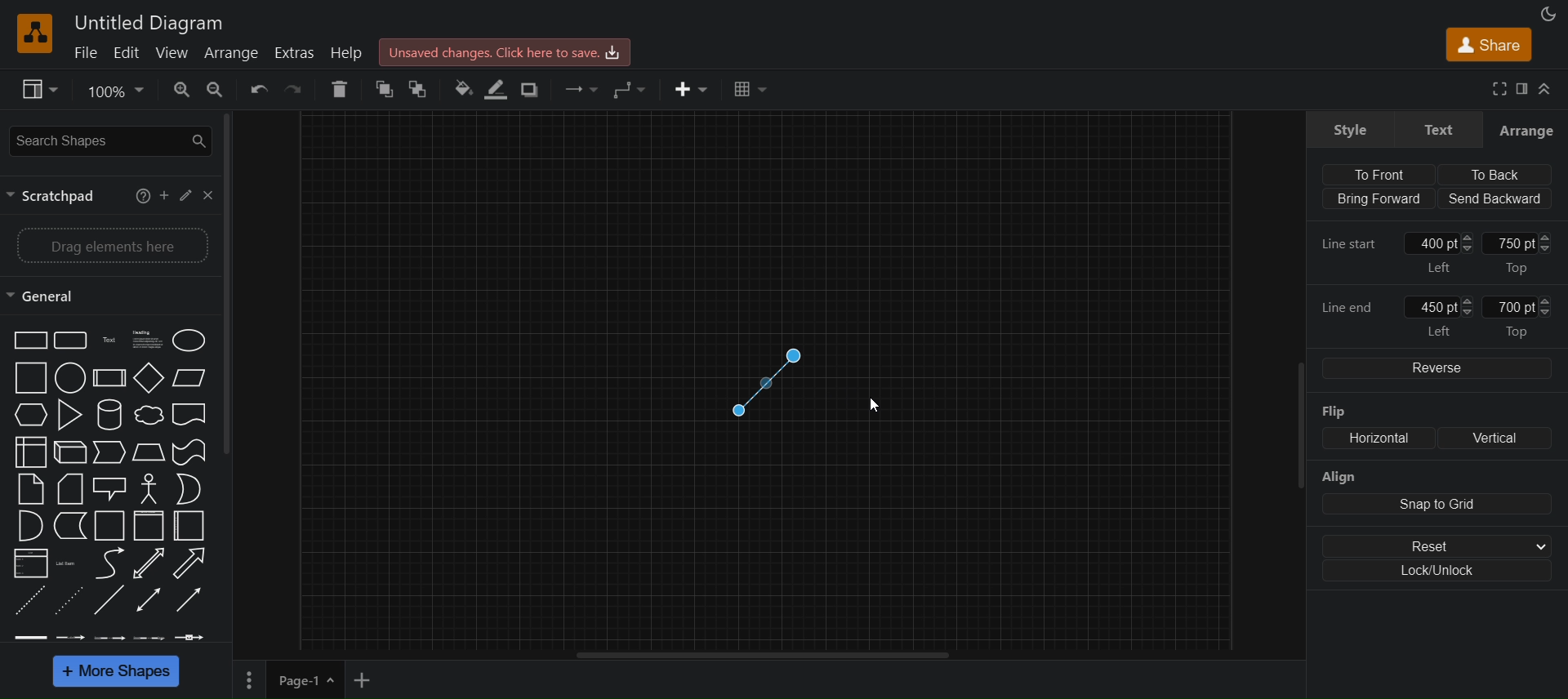 Image resolution: width=1568 pixels, height=699 pixels. Describe the element at coordinates (118, 672) in the screenshot. I see `more shapes` at that location.